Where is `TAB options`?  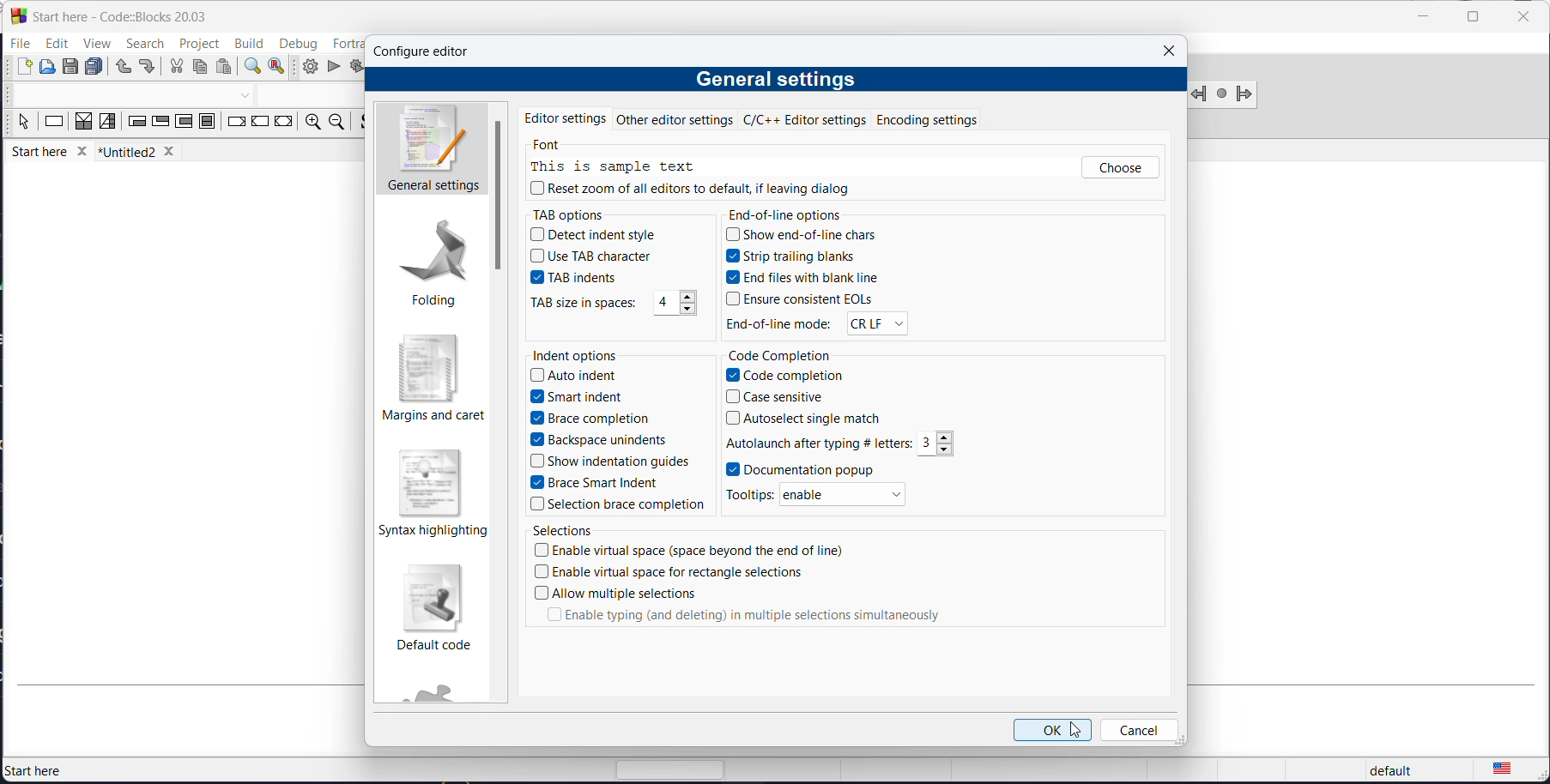
TAB options is located at coordinates (580, 215).